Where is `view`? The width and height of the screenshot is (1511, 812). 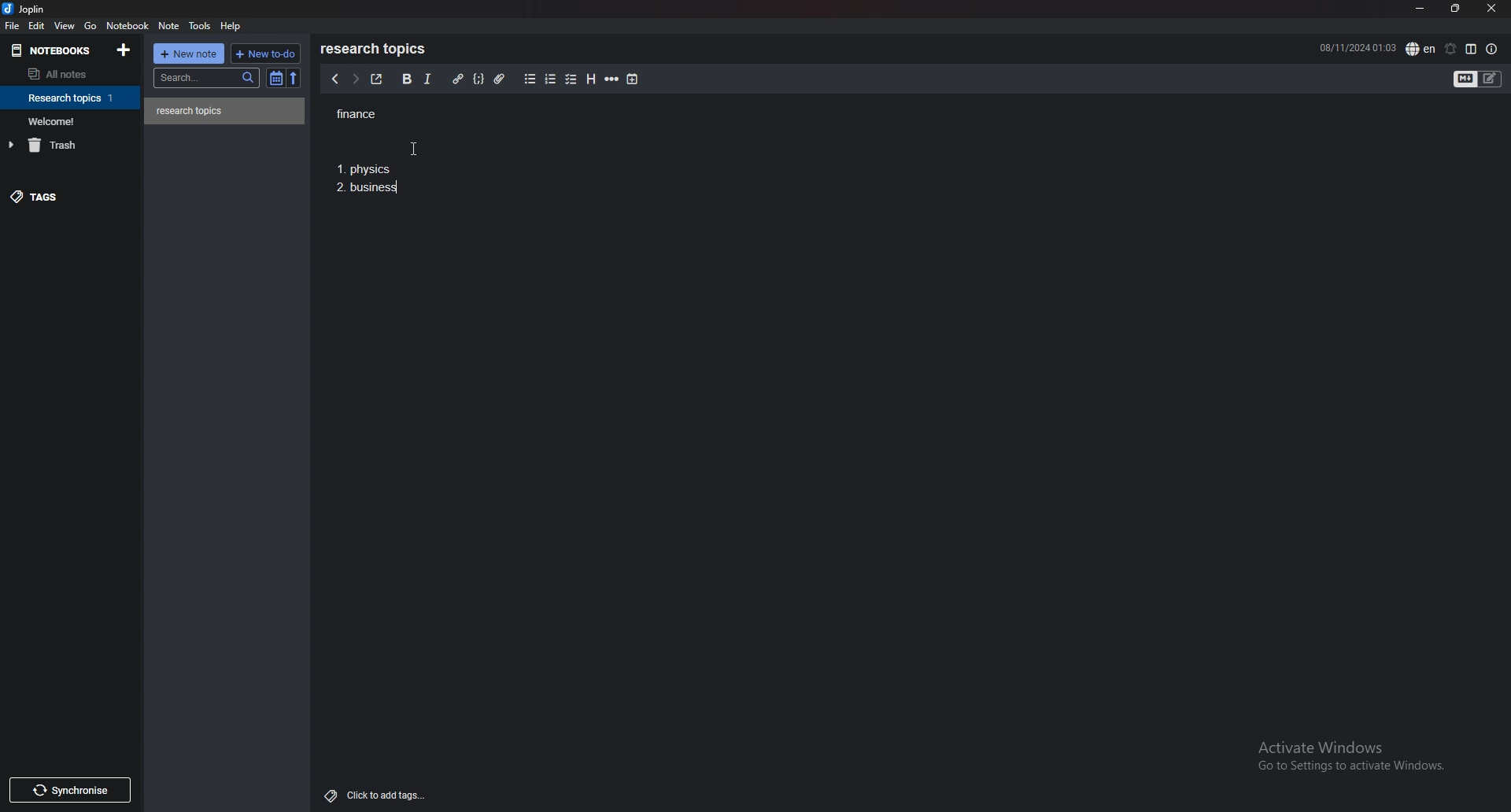
view is located at coordinates (65, 26).